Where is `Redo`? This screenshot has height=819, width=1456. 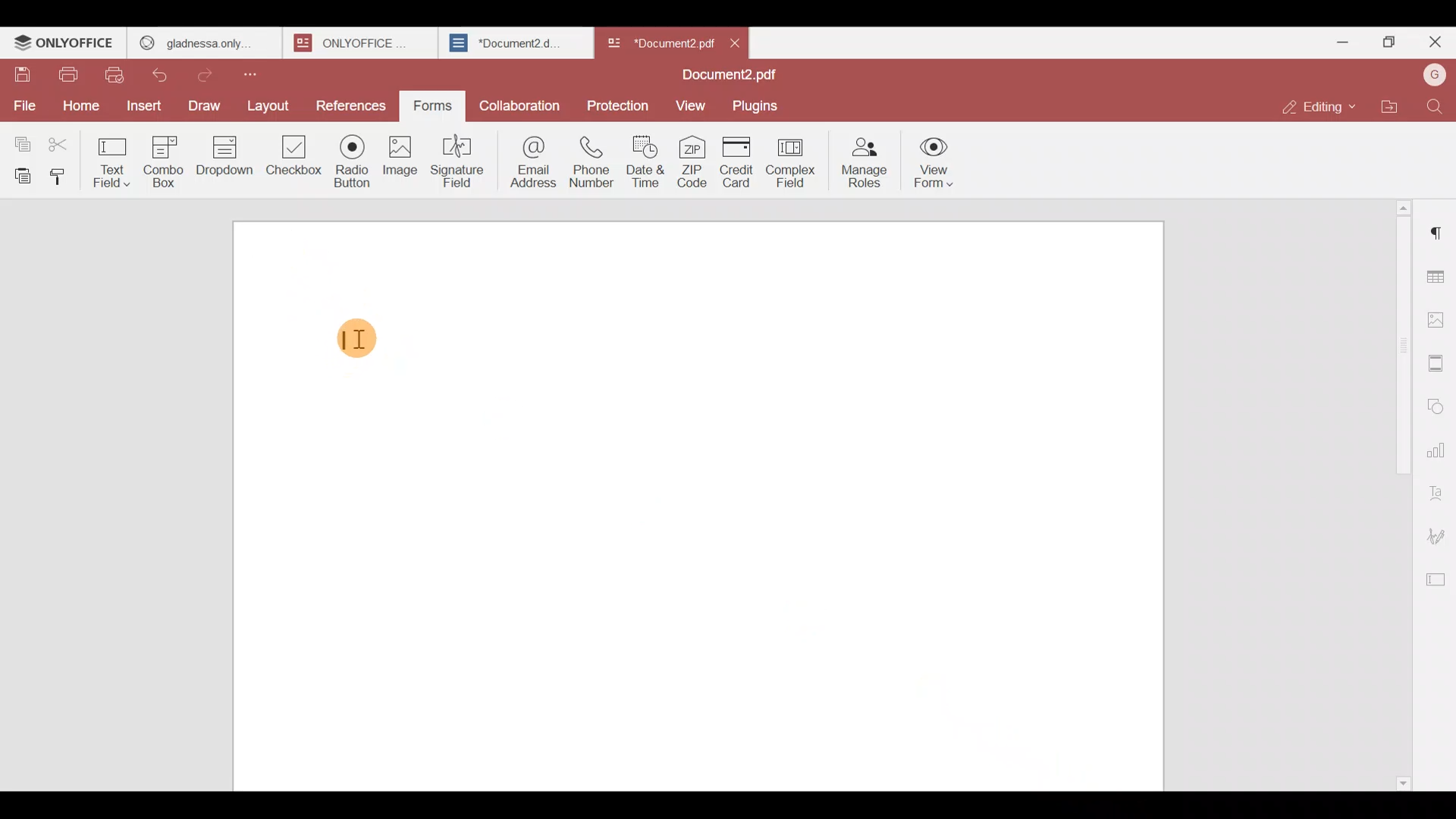 Redo is located at coordinates (210, 73).